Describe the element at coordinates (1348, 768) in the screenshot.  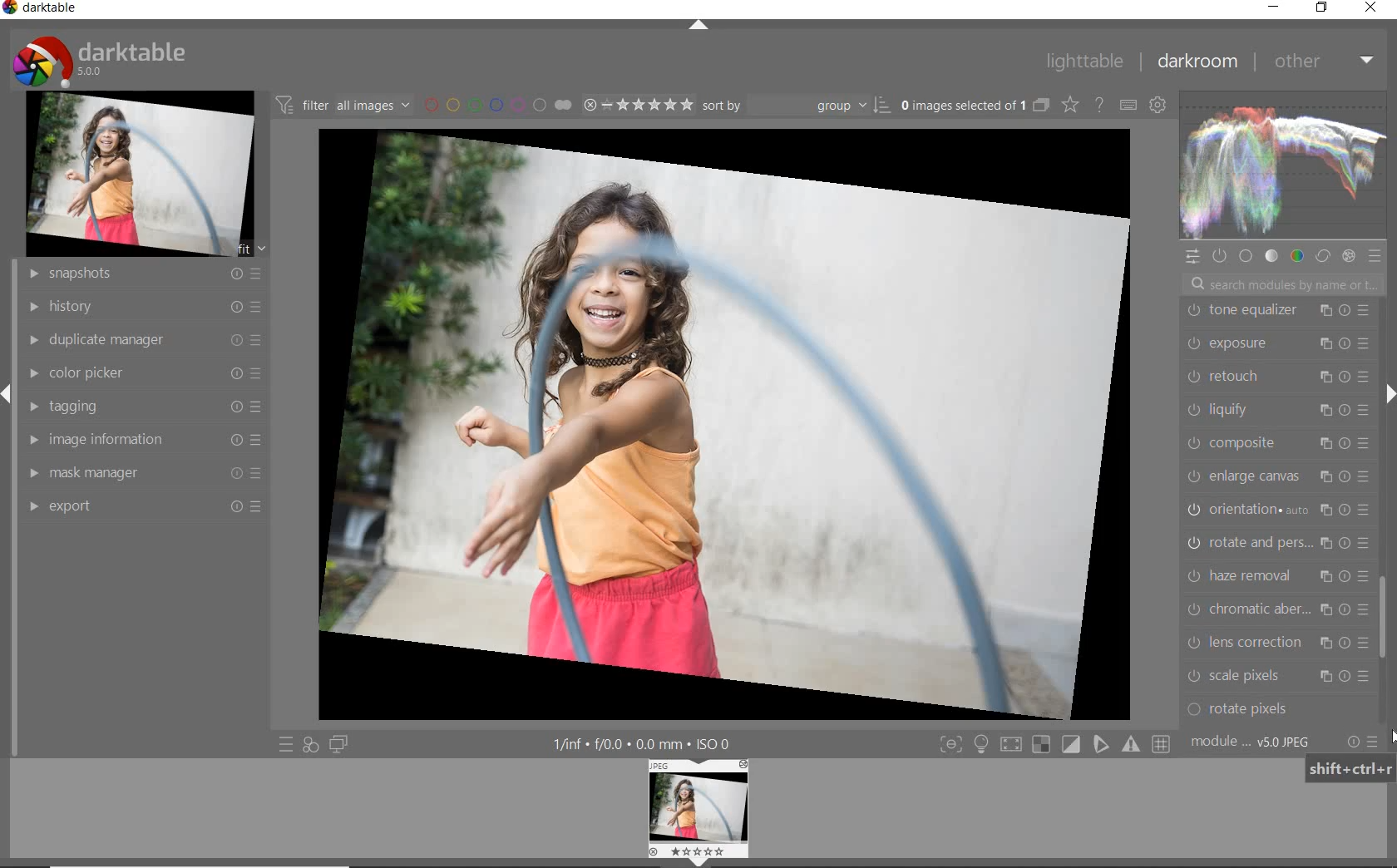
I see `shift+ctrl+r` at that location.